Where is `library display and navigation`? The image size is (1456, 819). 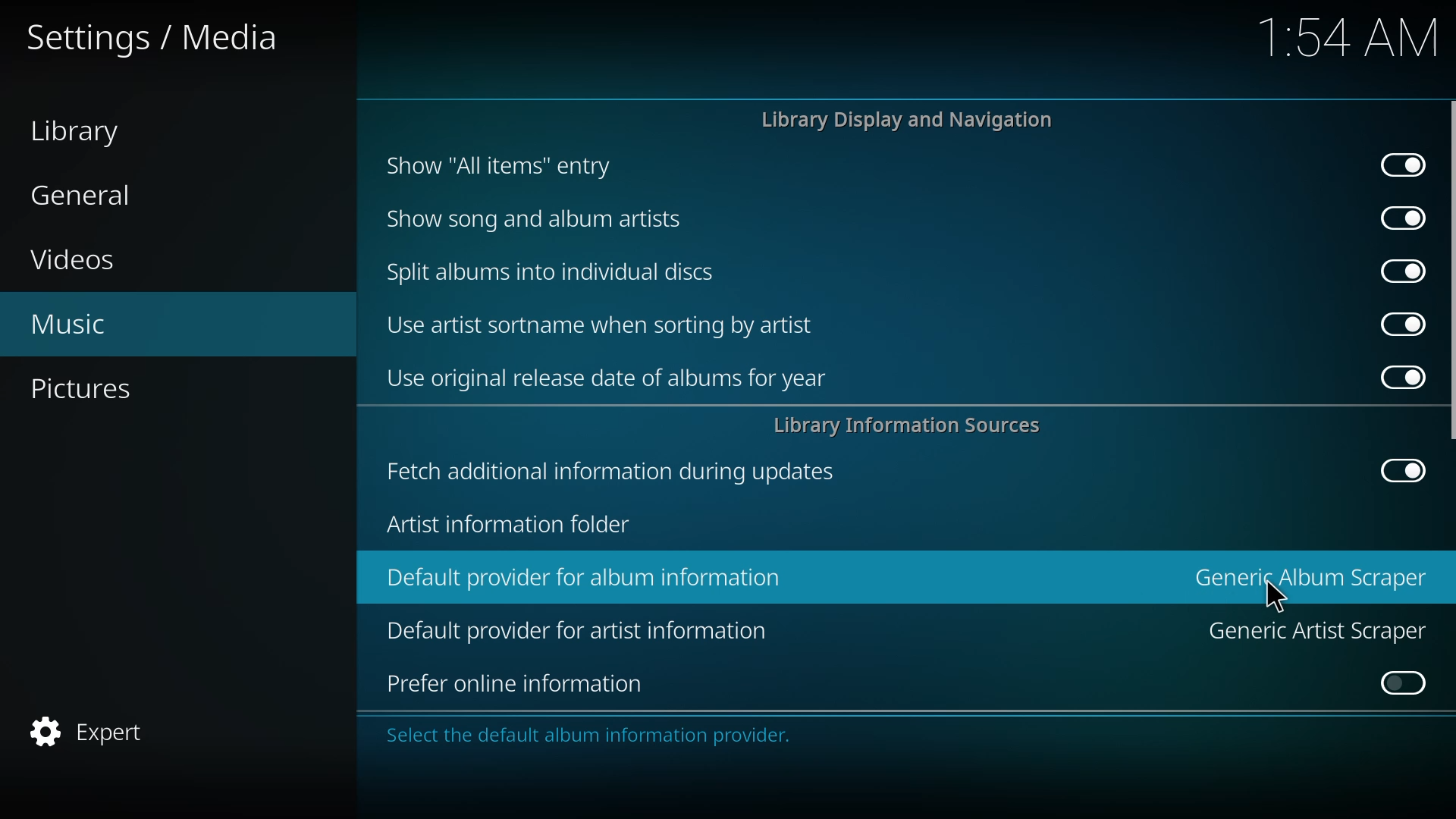
library display and navigation is located at coordinates (907, 117).